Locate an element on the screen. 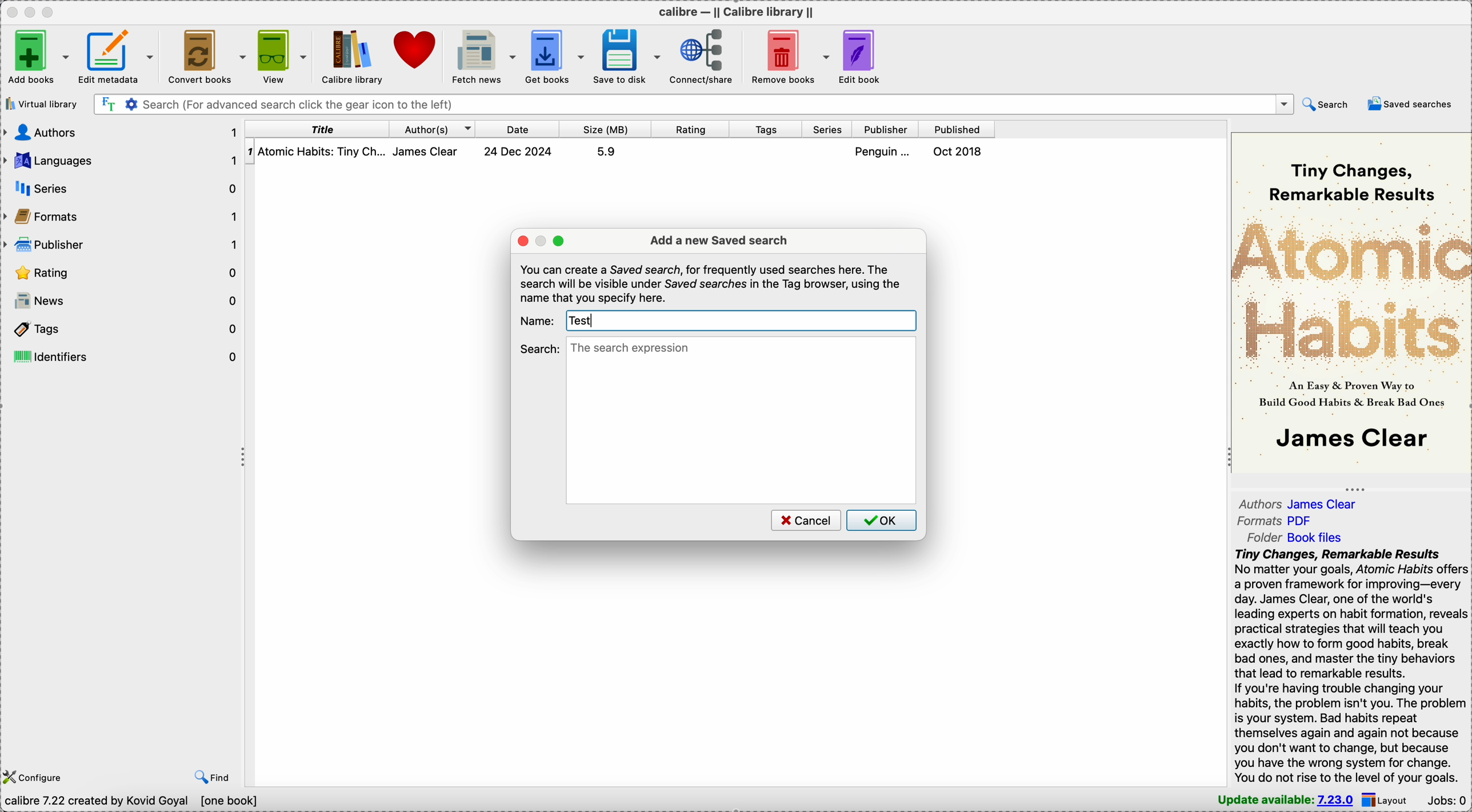 This screenshot has width=1472, height=812. minimize is located at coordinates (33, 11).